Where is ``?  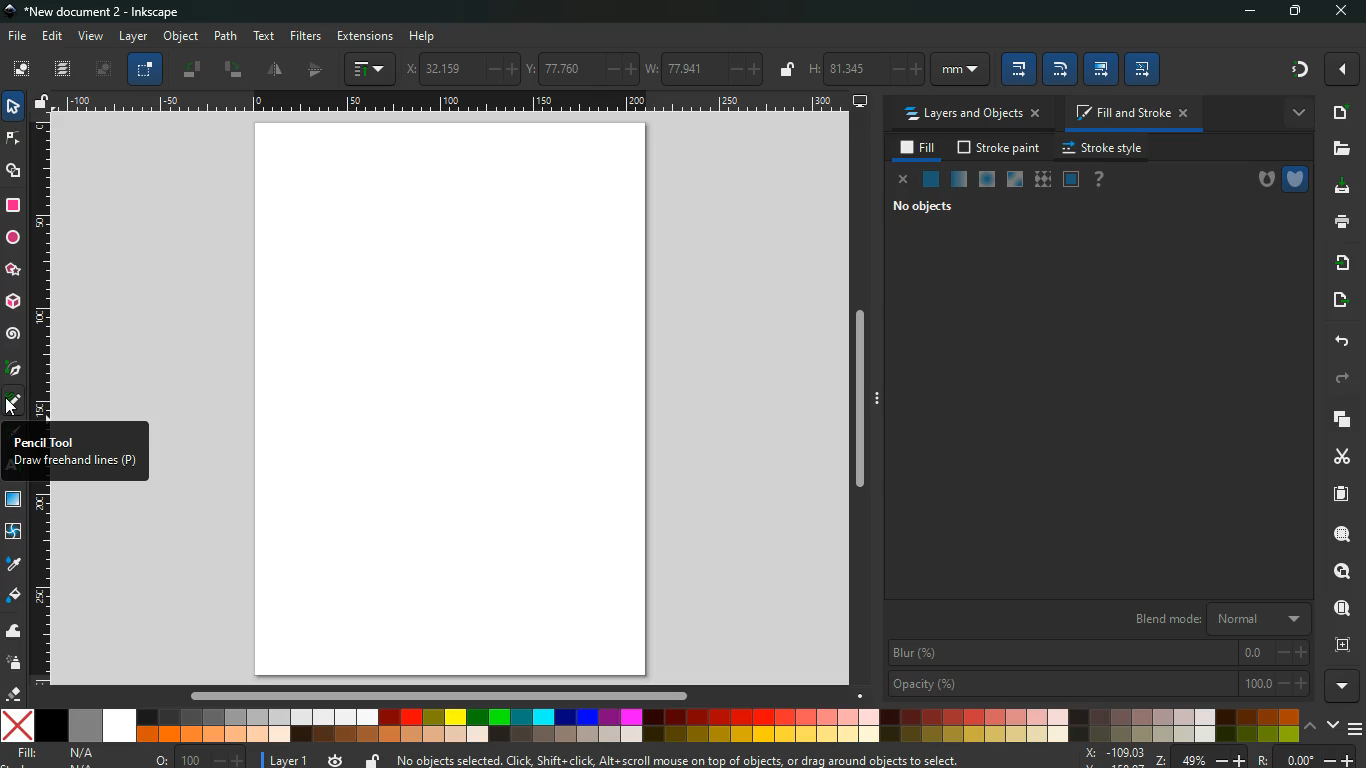
 is located at coordinates (860, 407).